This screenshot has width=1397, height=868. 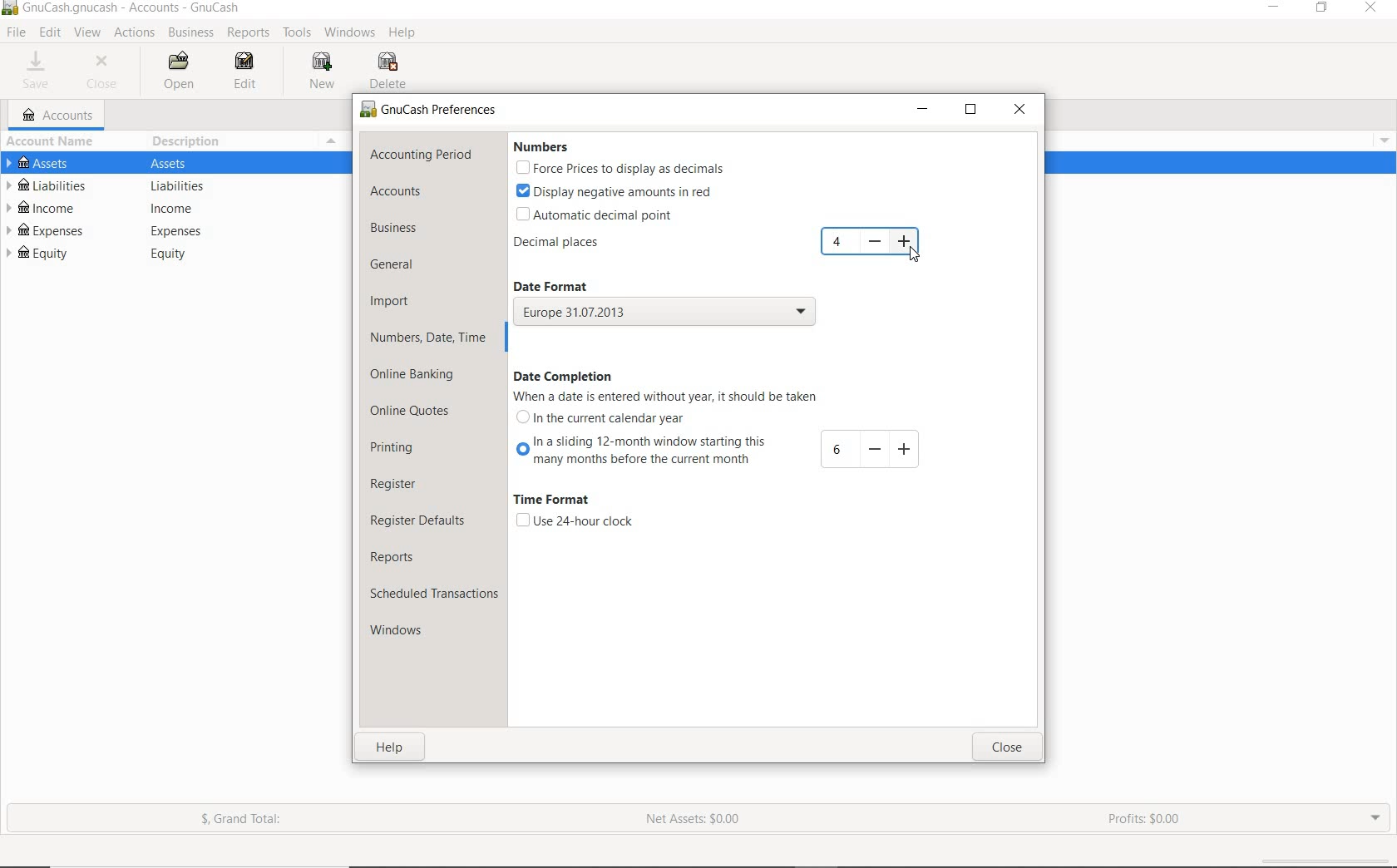 I want to click on GRAND TOTAL, so click(x=243, y=820).